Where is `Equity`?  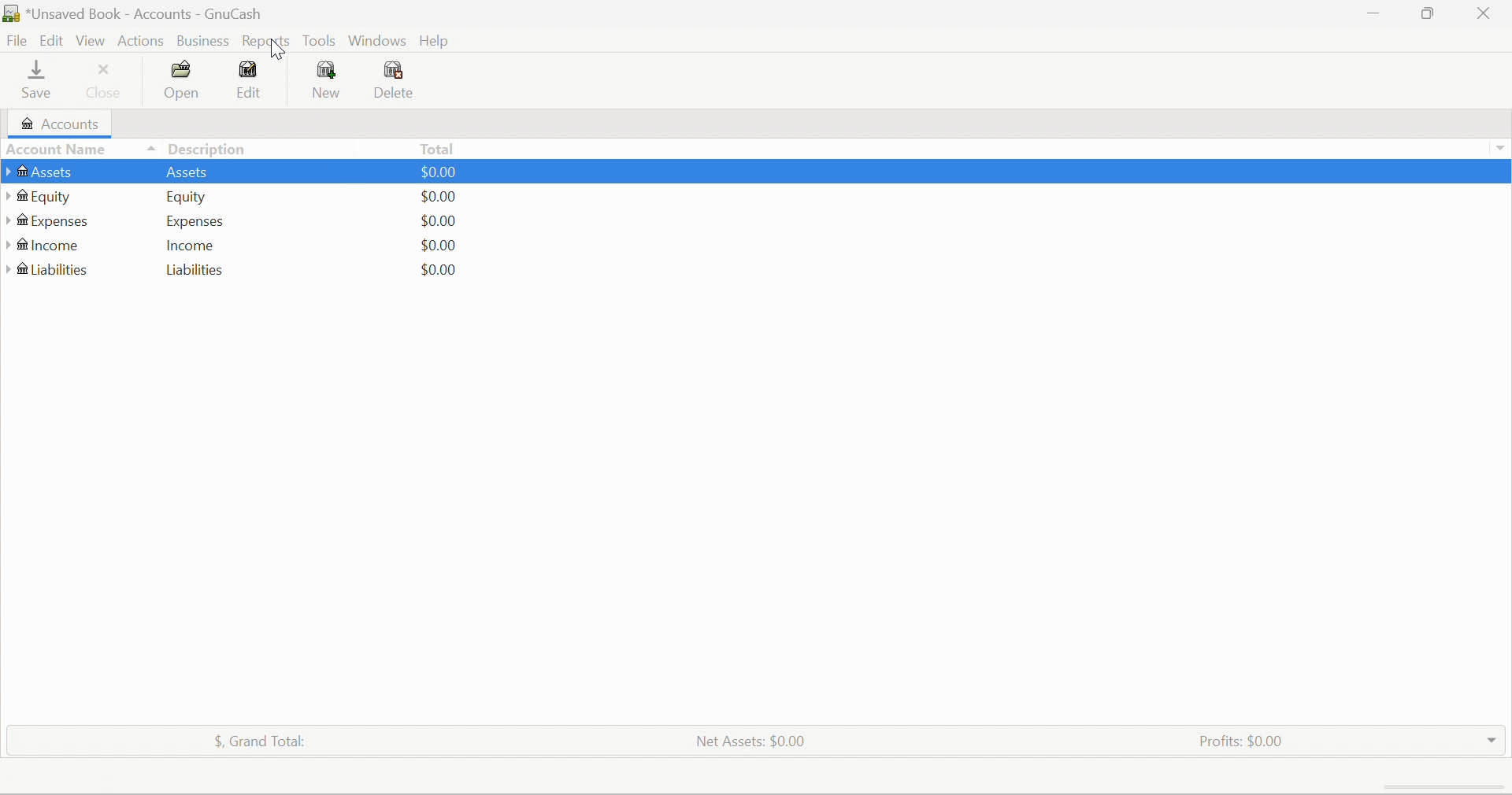 Equity is located at coordinates (188, 198).